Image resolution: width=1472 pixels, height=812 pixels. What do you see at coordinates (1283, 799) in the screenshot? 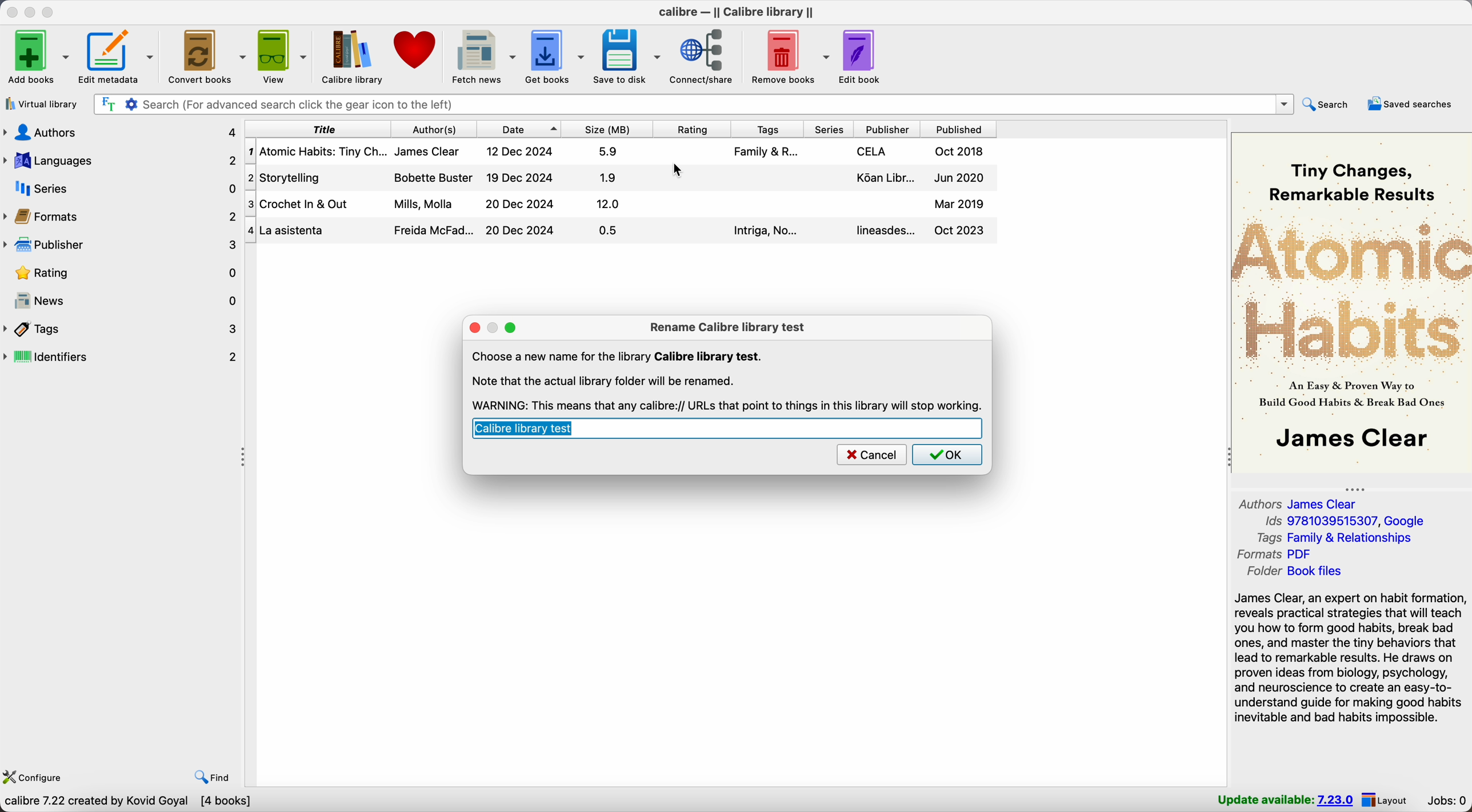
I see `update available: 7.23.0` at bounding box center [1283, 799].